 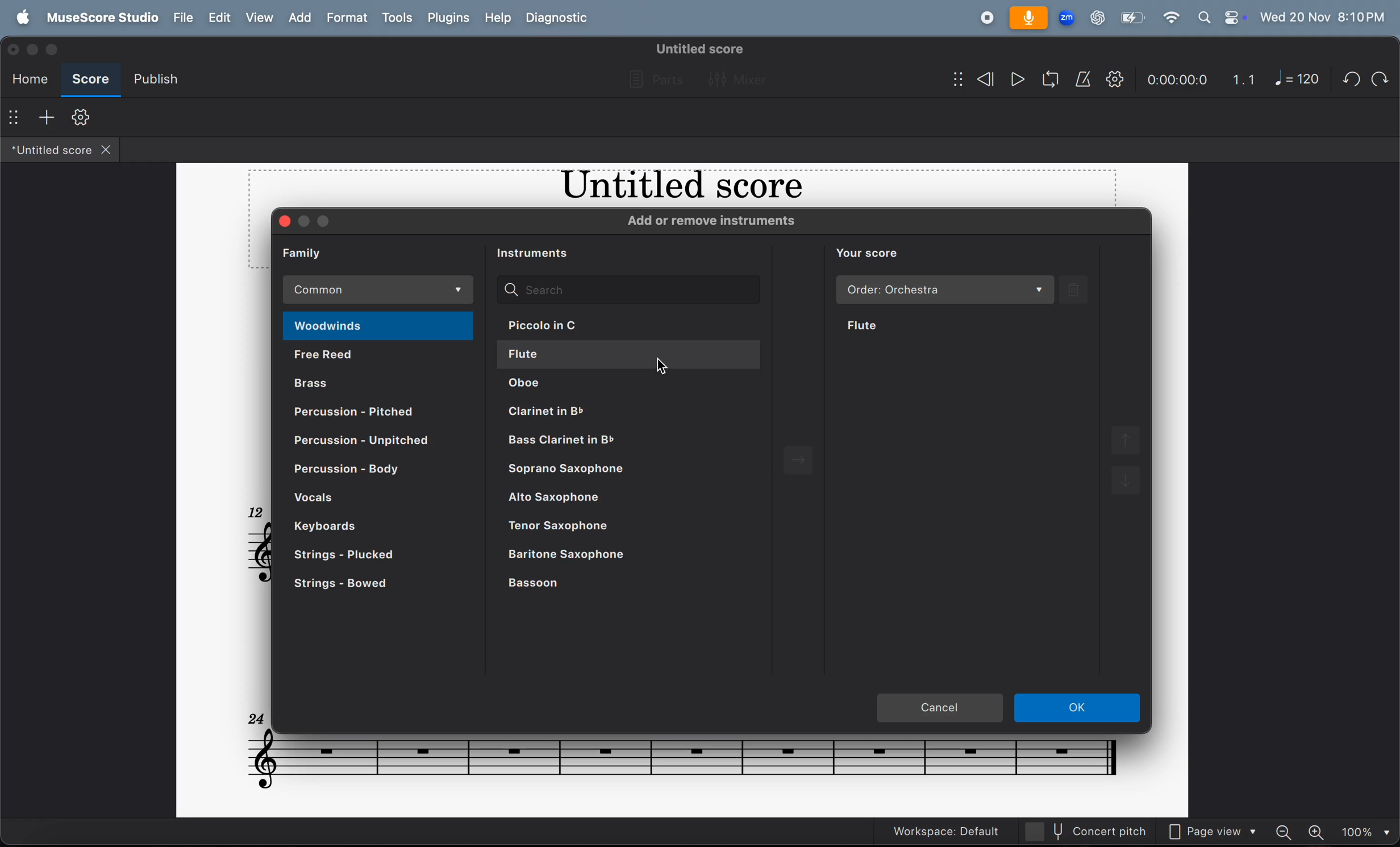 I want to click on playback setting, so click(x=1115, y=81).